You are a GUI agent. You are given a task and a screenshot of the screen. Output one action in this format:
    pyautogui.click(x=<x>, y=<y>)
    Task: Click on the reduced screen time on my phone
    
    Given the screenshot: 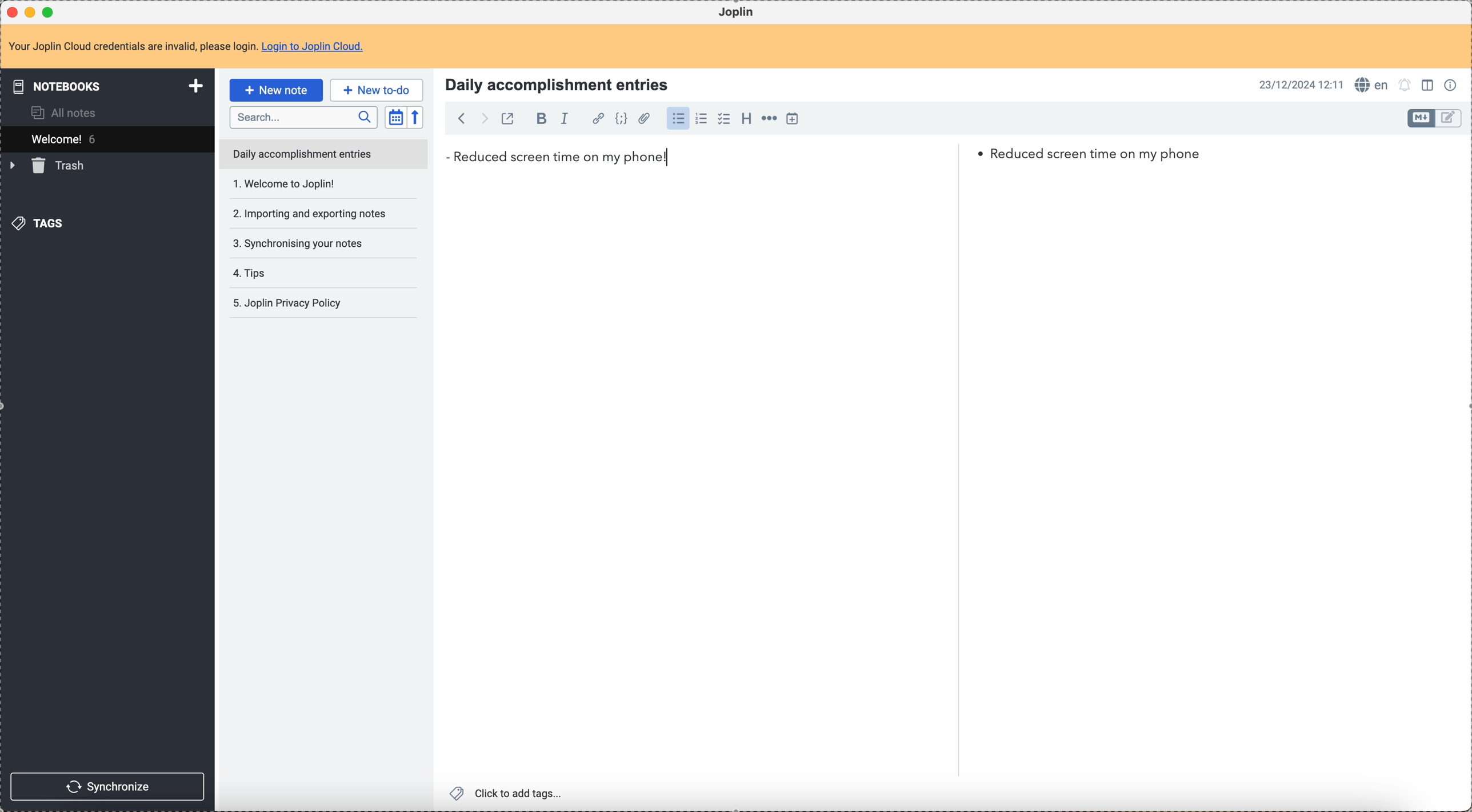 What is the action you would take?
    pyautogui.click(x=830, y=156)
    